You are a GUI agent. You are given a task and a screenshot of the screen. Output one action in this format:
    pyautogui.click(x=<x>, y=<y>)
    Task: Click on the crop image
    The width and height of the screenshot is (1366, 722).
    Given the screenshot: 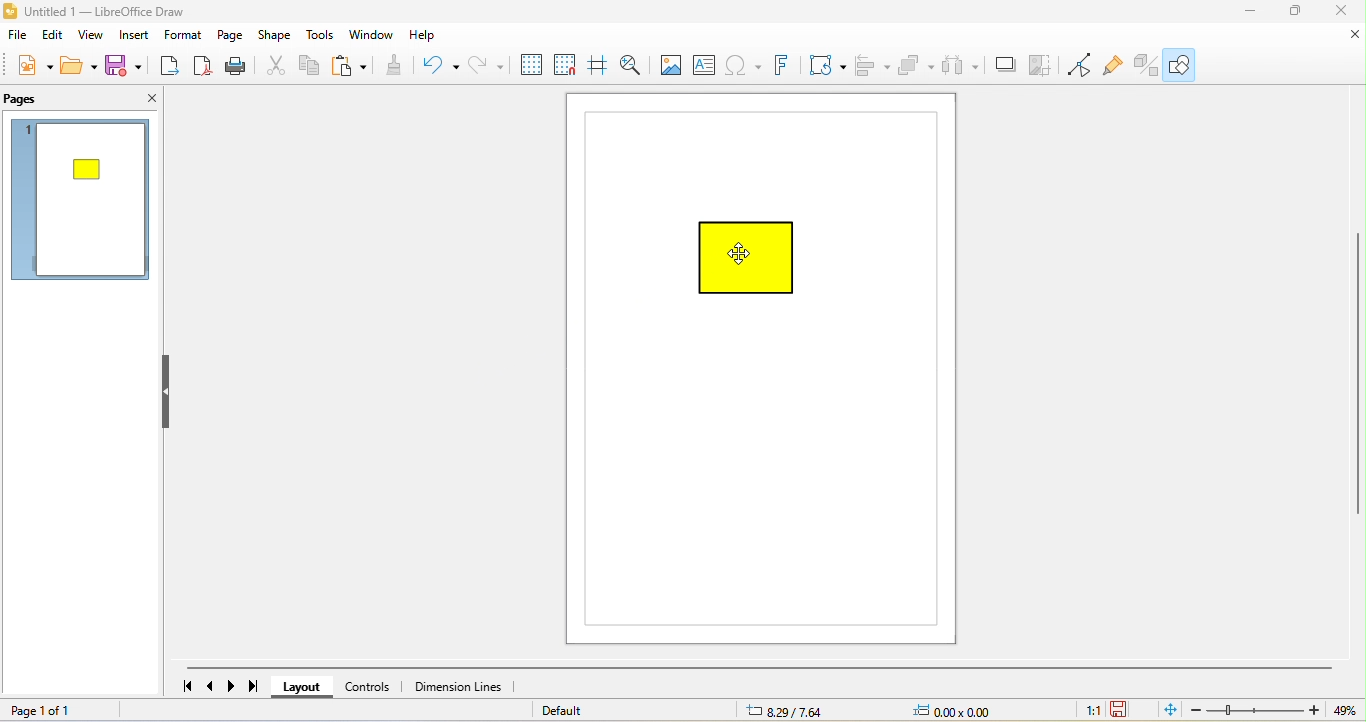 What is the action you would take?
    pyautogui.click(x=1045, y=64)
    